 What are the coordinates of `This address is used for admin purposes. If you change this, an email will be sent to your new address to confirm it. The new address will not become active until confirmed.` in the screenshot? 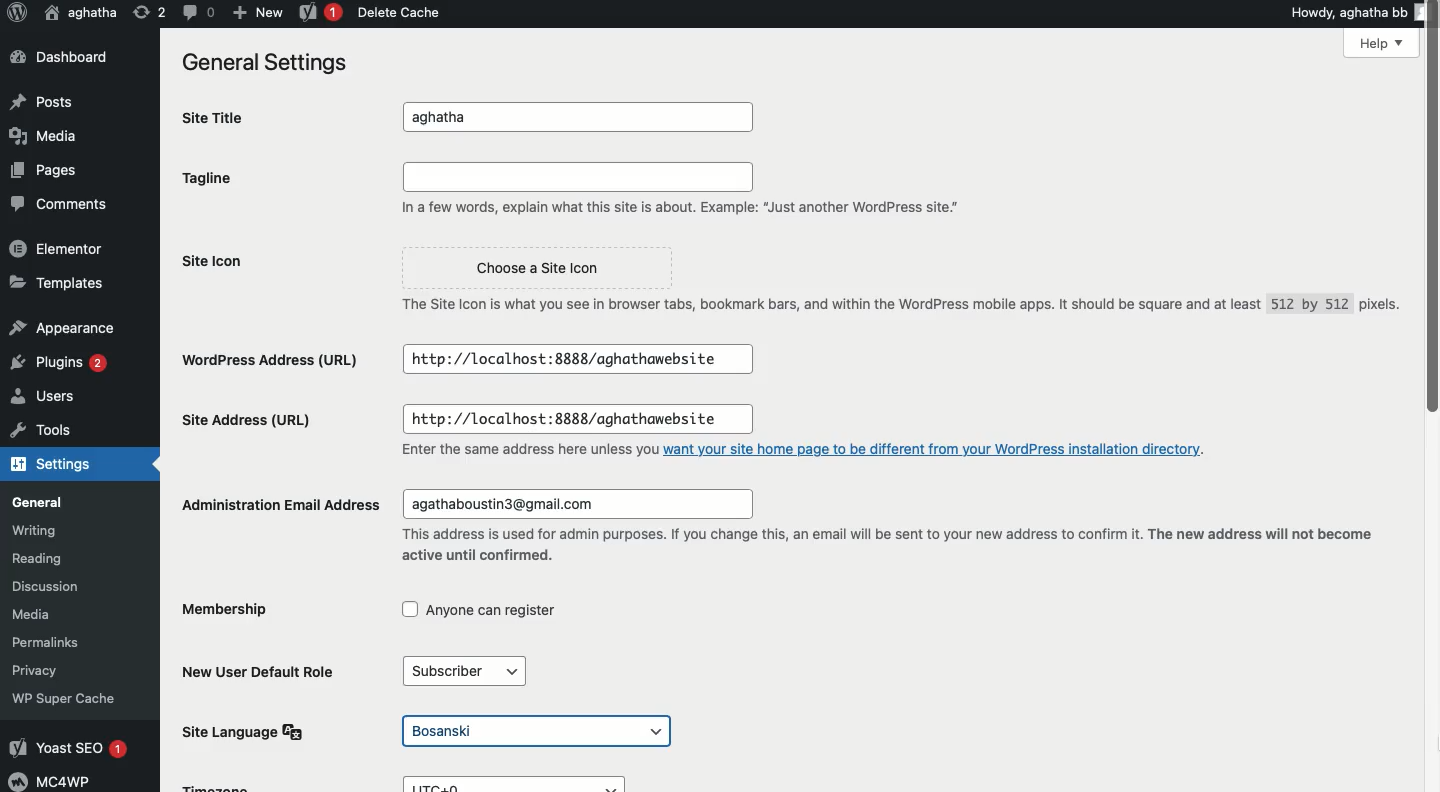 It's located at (888, 545).